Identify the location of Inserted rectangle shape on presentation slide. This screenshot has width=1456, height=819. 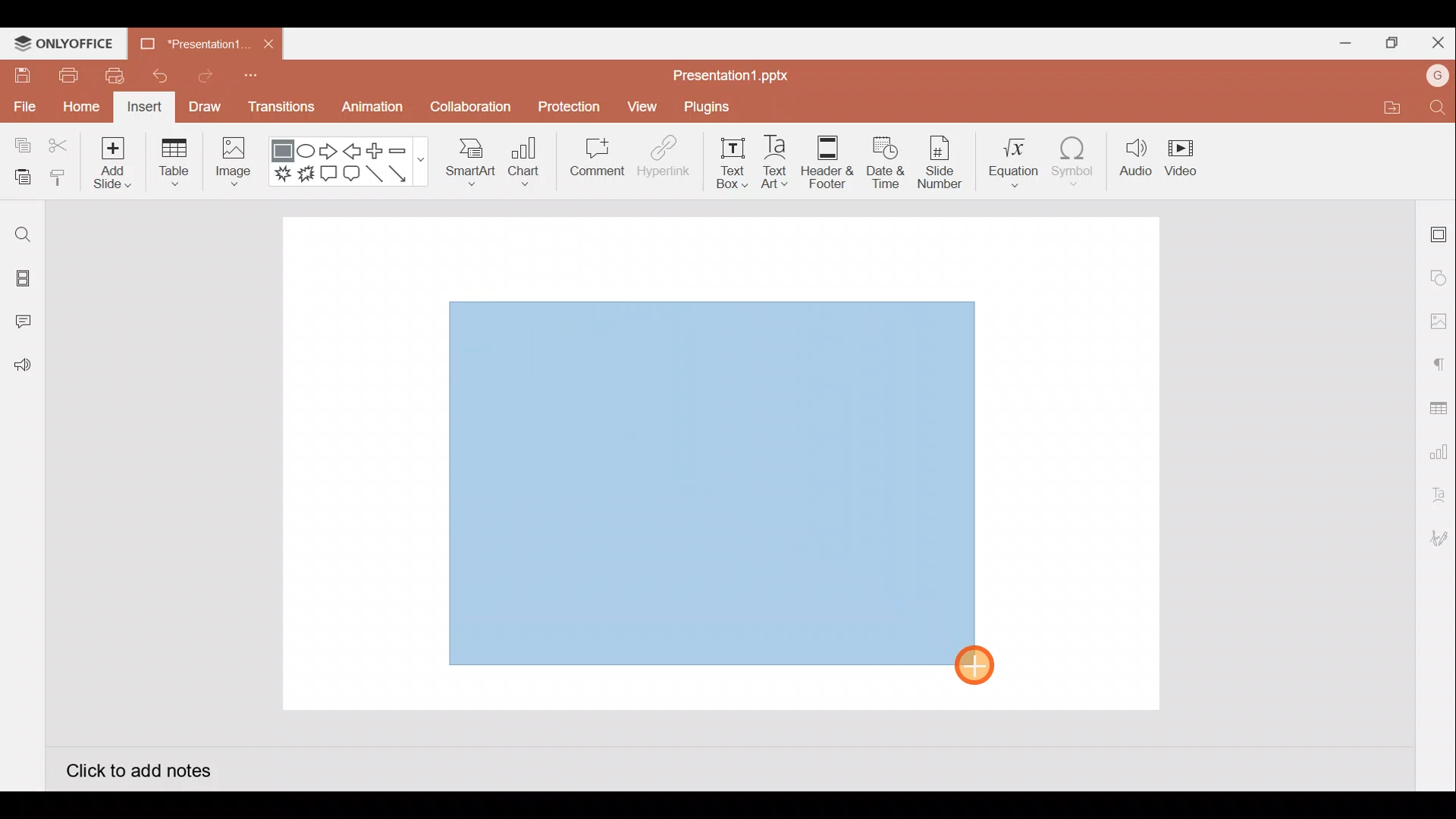
(710, 480).